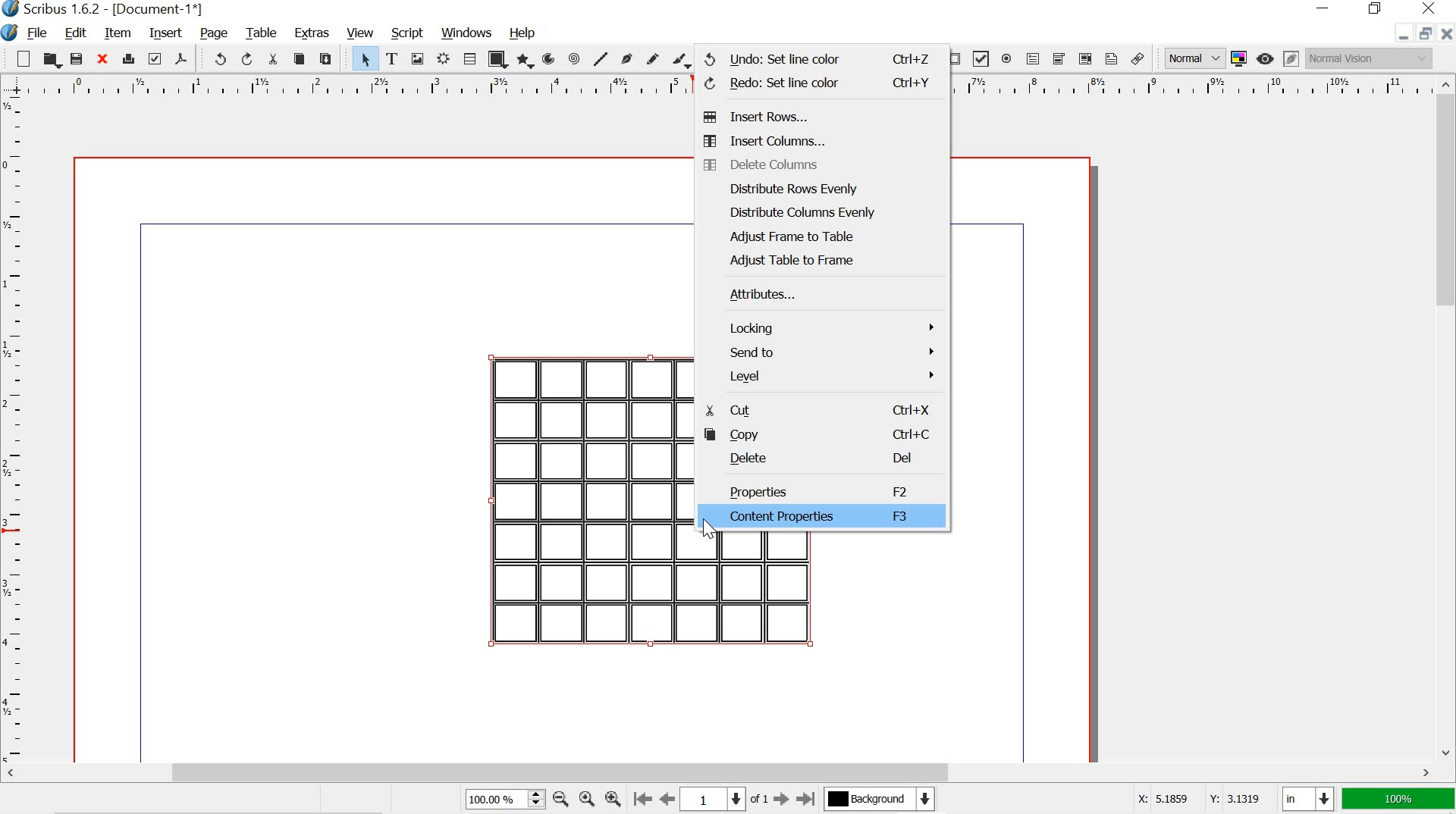 This screenshot has width=1456, height=814. What do you see at coordinates (393, 59) in the screenshot?
I see `text frame` at bounding box center [393, 59].